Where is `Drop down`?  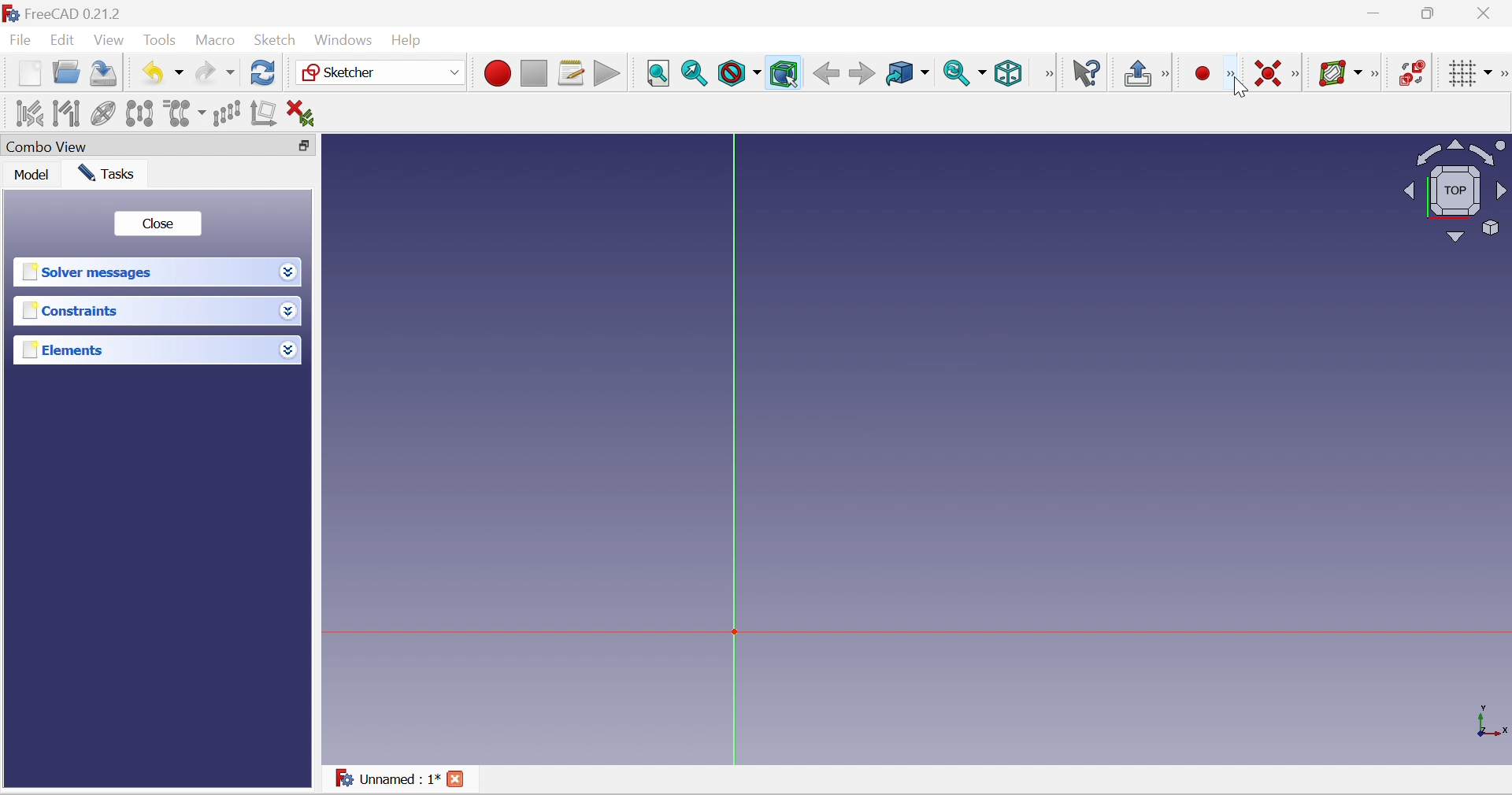 Drop down is located at coordinates (288, 272).